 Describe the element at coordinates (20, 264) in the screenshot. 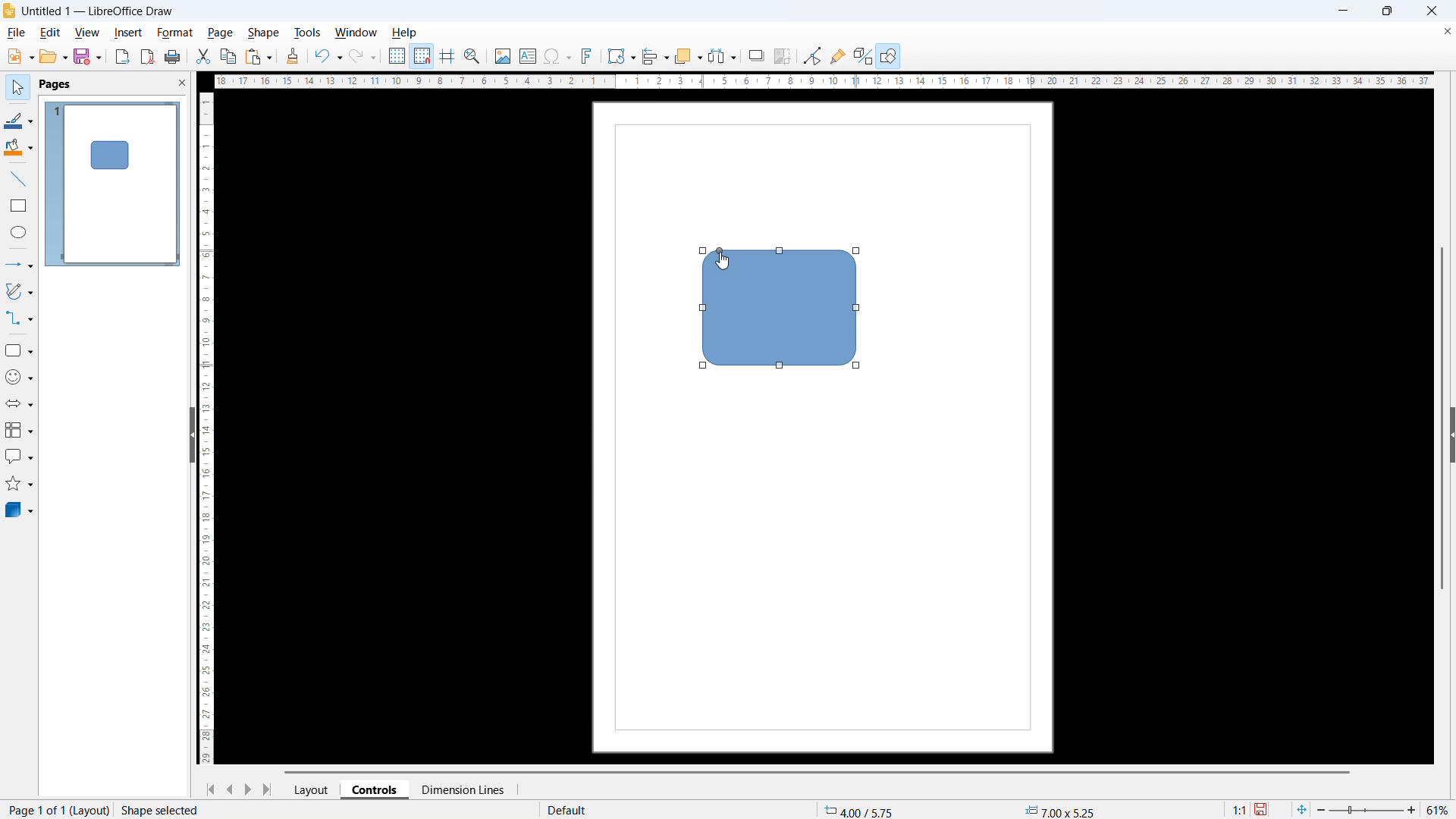

I see `Lines and arrows ` at that location.